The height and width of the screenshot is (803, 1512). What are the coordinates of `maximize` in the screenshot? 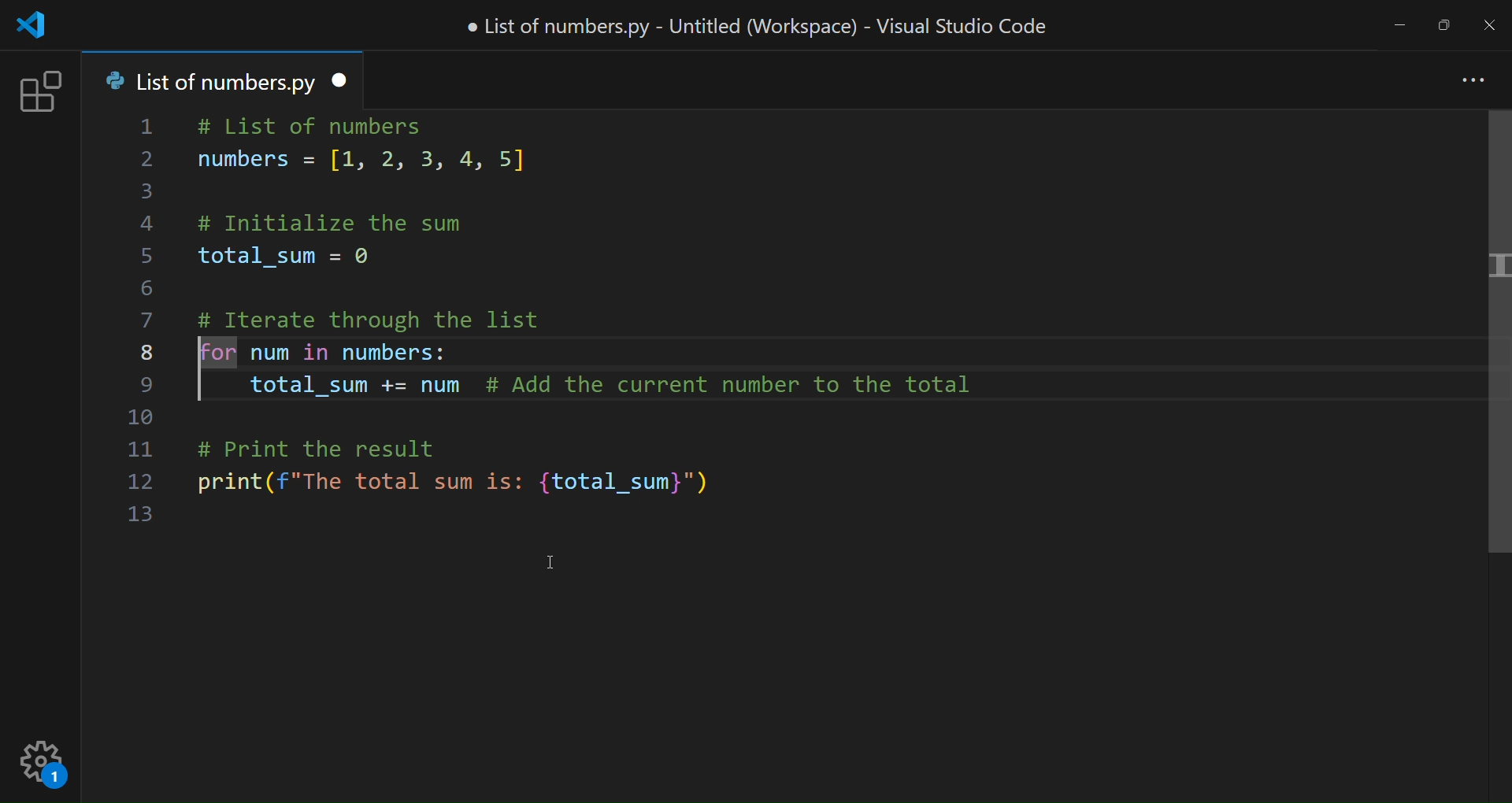 It's located at (1448, 20).